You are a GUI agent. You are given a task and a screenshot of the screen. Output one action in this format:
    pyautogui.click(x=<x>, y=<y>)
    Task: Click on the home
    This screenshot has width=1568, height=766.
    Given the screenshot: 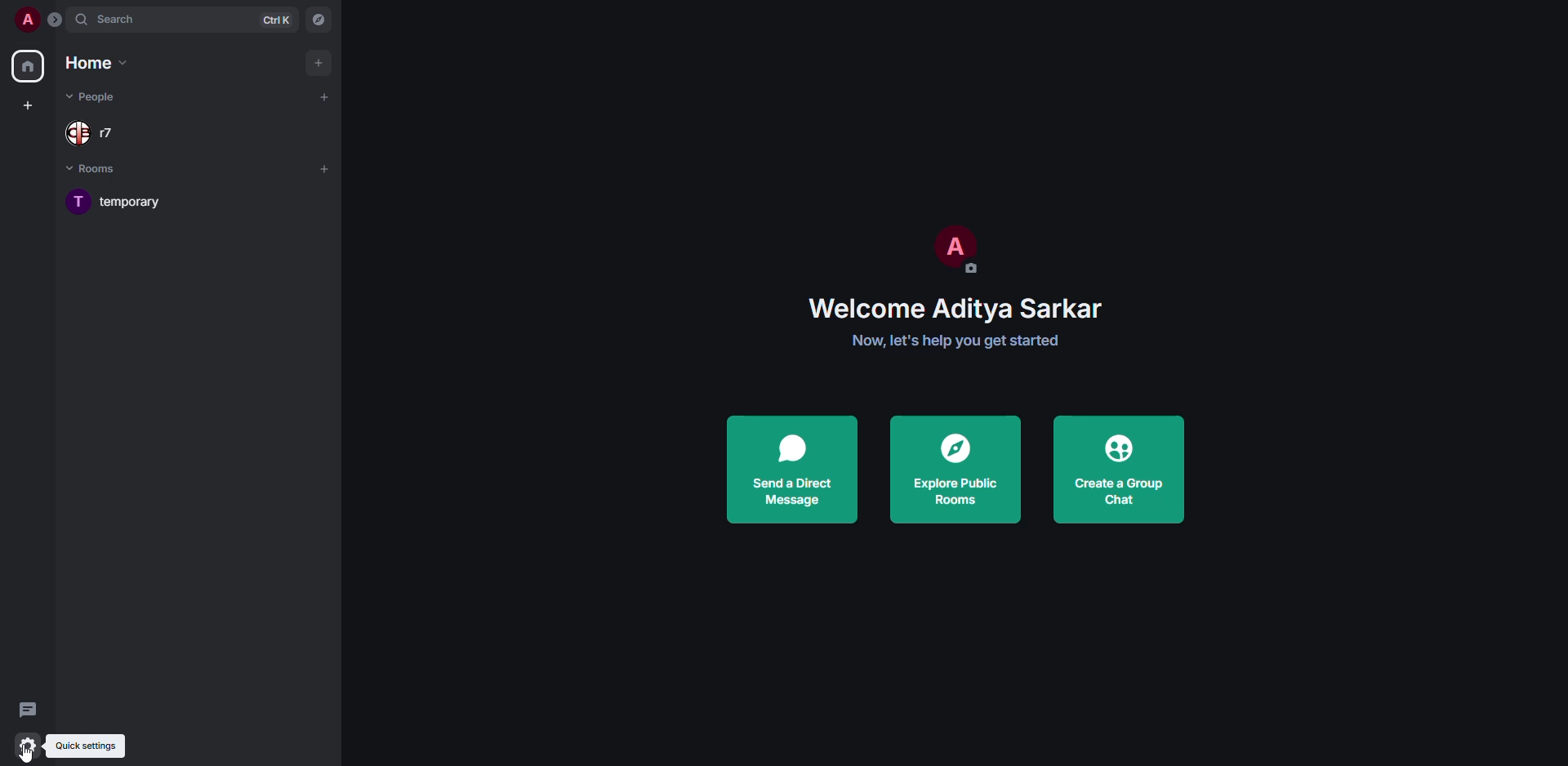 What is the action you would take?
    pyautogui.click(x=99, y=62)
    